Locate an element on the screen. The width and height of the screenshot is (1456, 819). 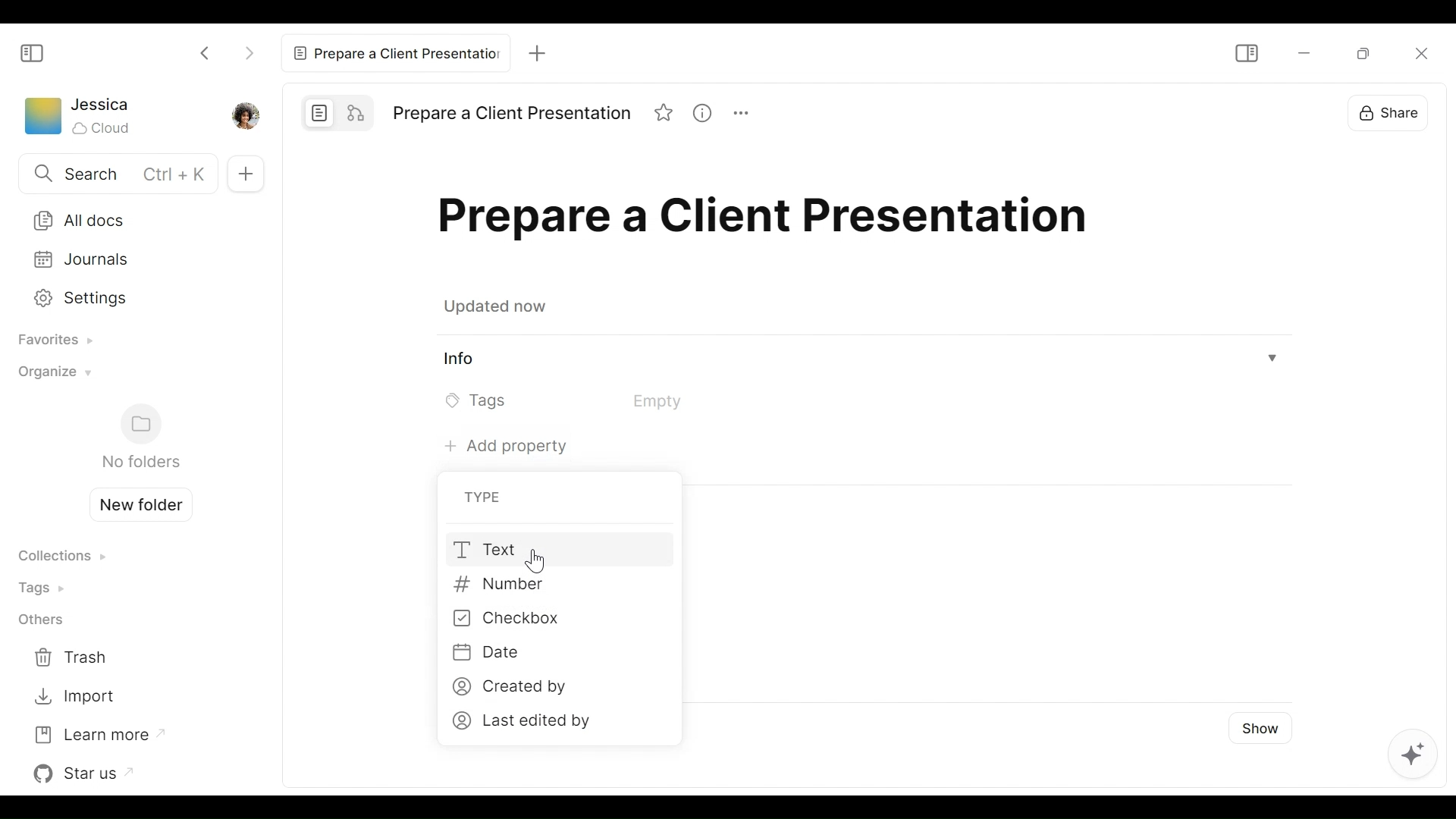
AI is located at coordinates (1418, 761).